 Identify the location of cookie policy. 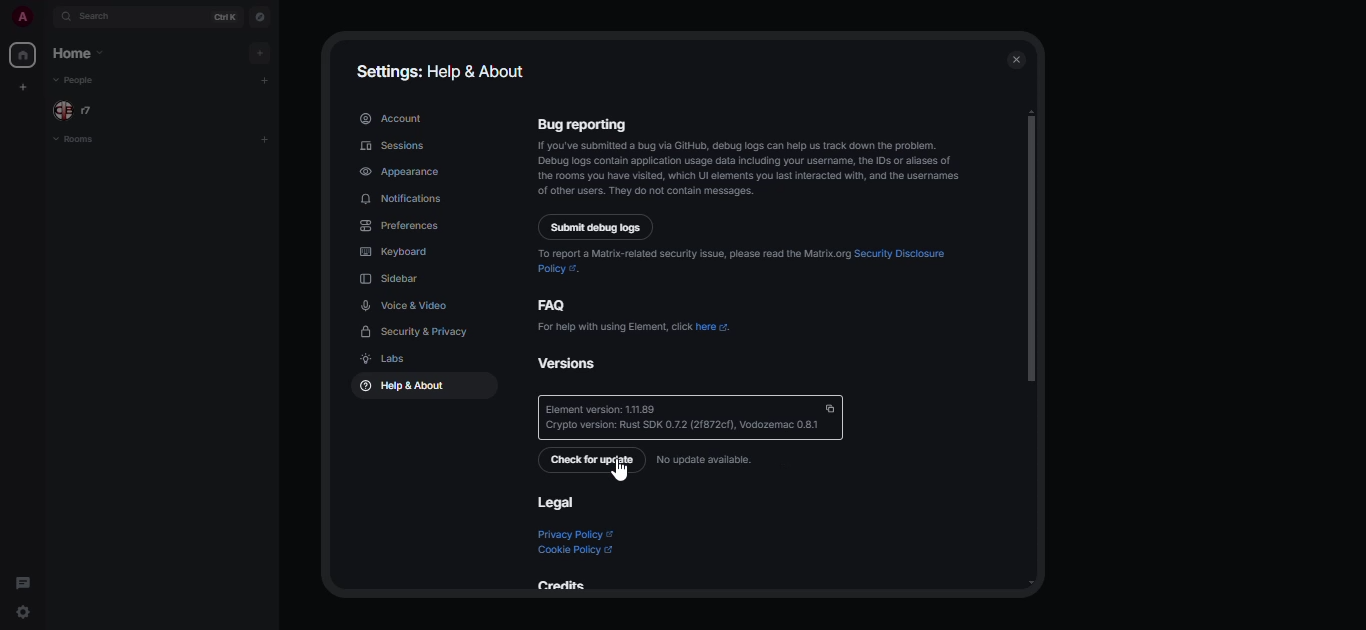
(577, 550).